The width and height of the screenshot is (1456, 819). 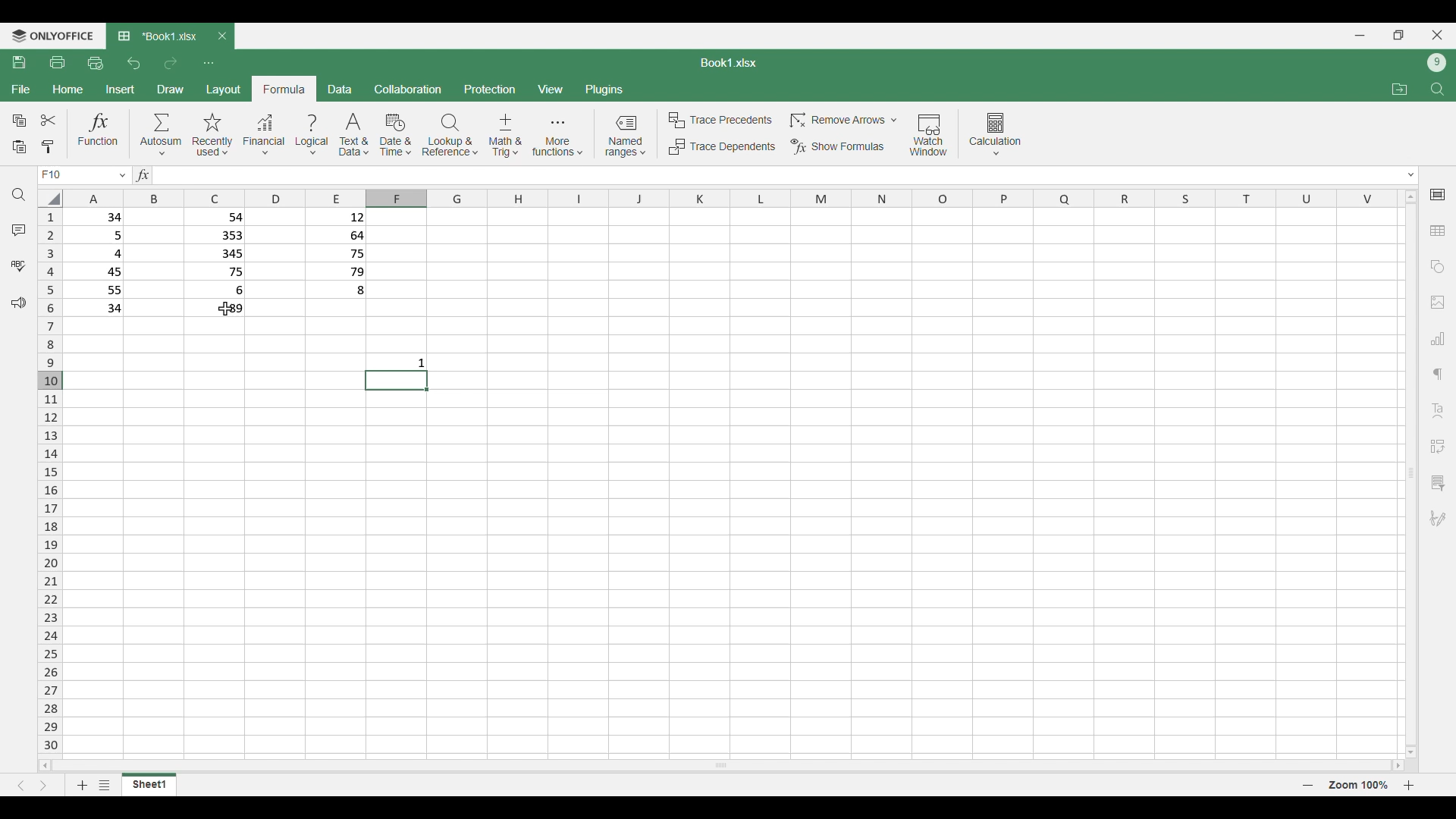 What do you see at coordinates (1308, 785) in the screenshot?
I see `Zoom out` at bounding box center [1308, 785].